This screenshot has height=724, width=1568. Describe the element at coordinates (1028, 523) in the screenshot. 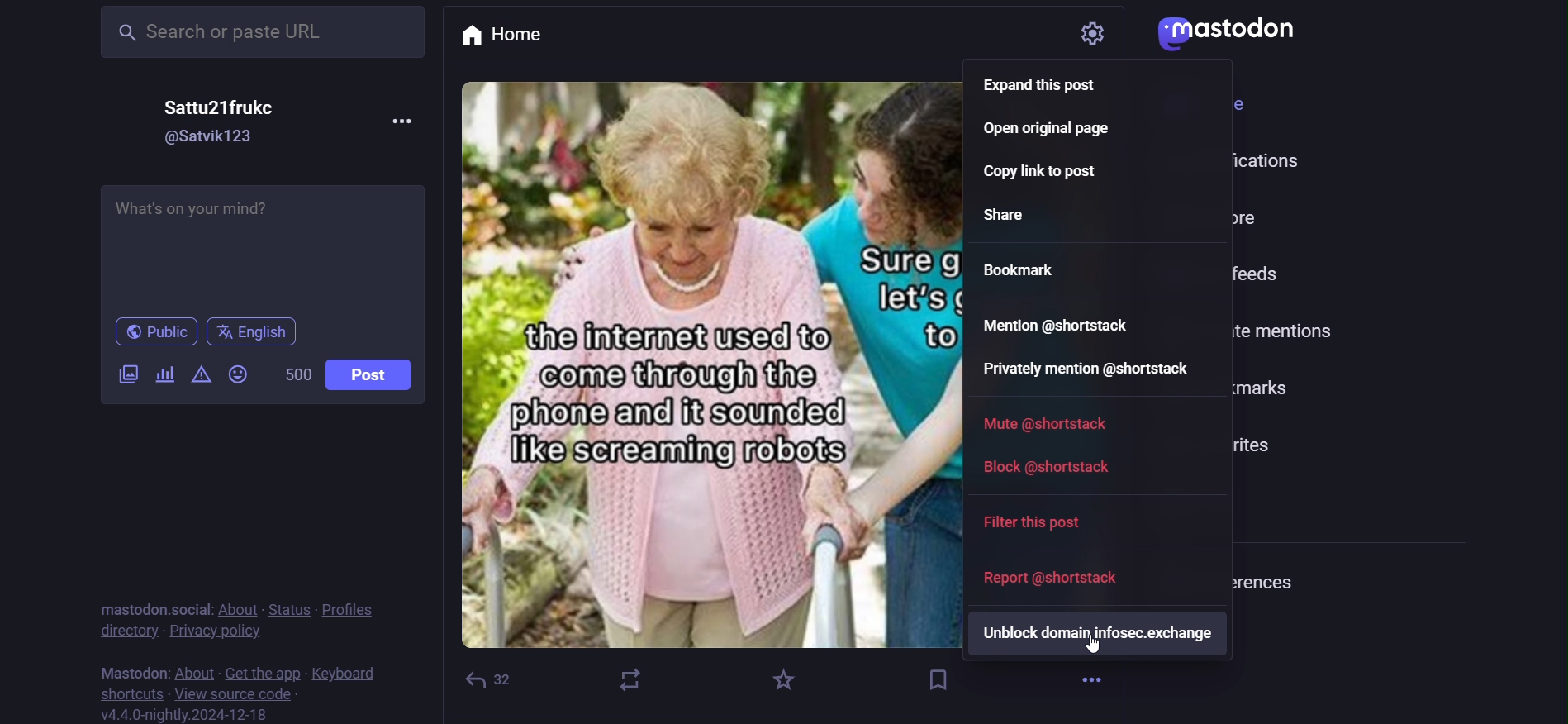

I see `filter this post` at that location.